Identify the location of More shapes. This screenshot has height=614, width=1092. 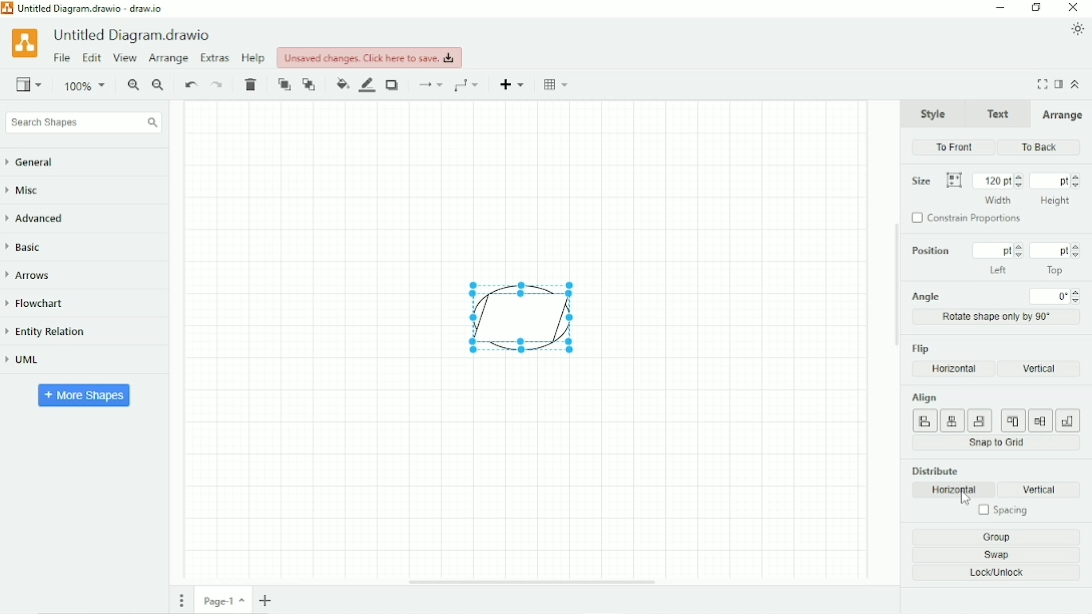
(85, 394).